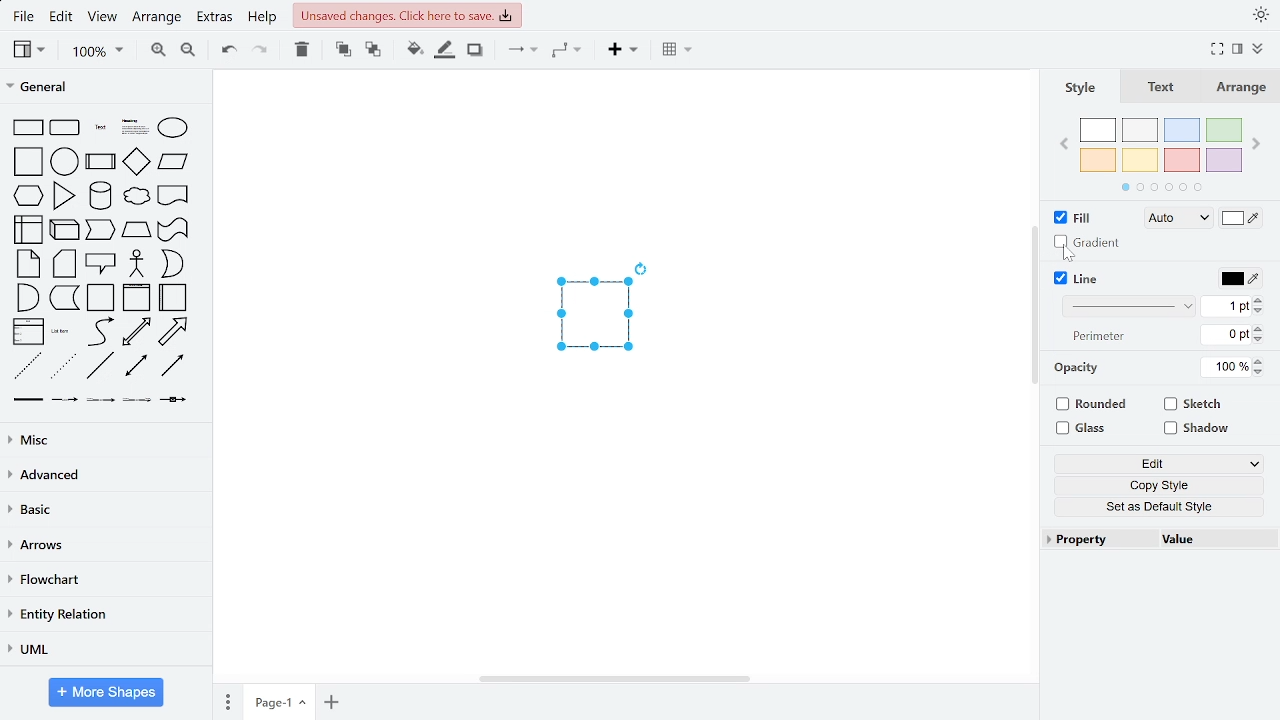 The width and height of the screenshot is (1280, 720). I want to click on arrange, so click(158, 17).